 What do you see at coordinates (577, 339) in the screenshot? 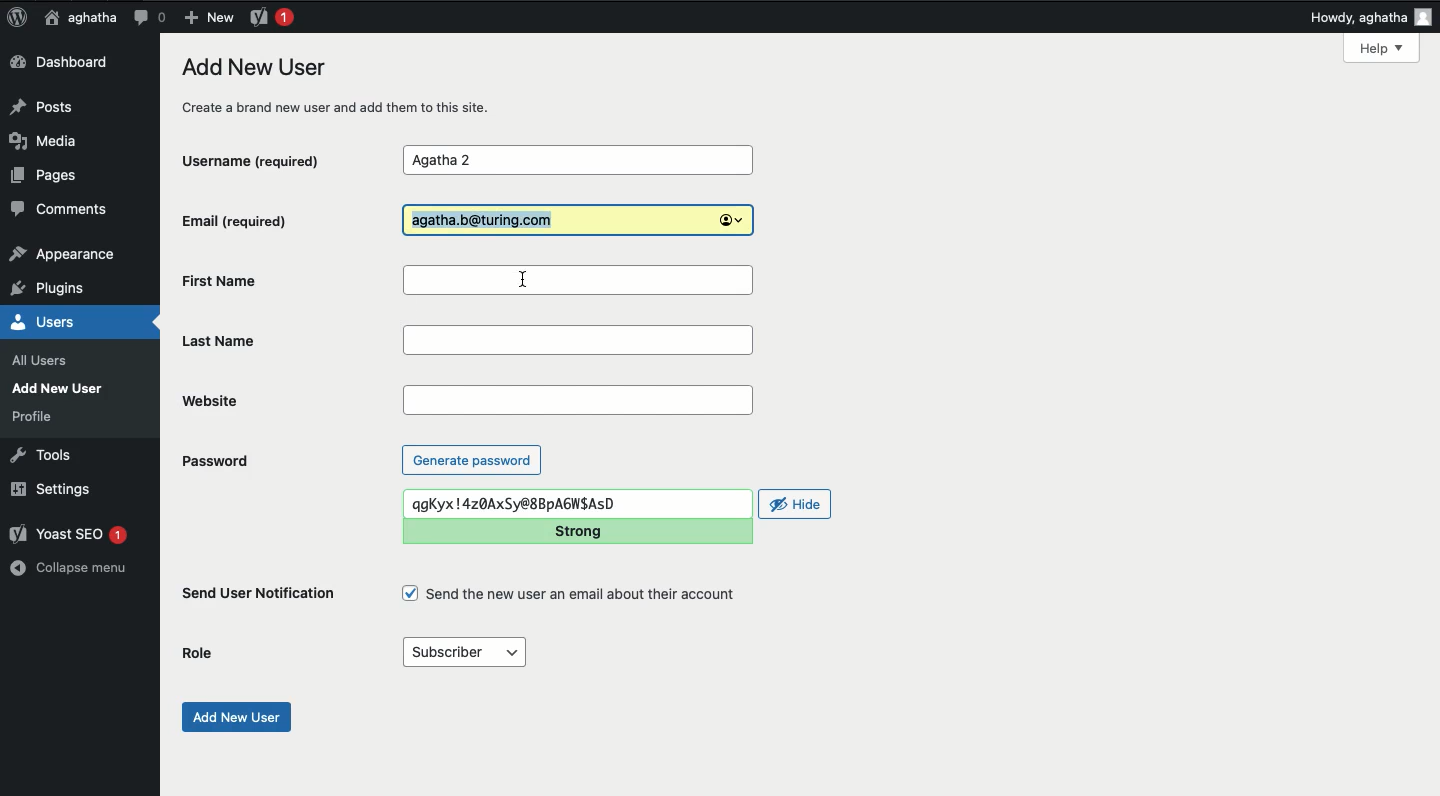
I see `Last name` at bounding box center [577, 339].